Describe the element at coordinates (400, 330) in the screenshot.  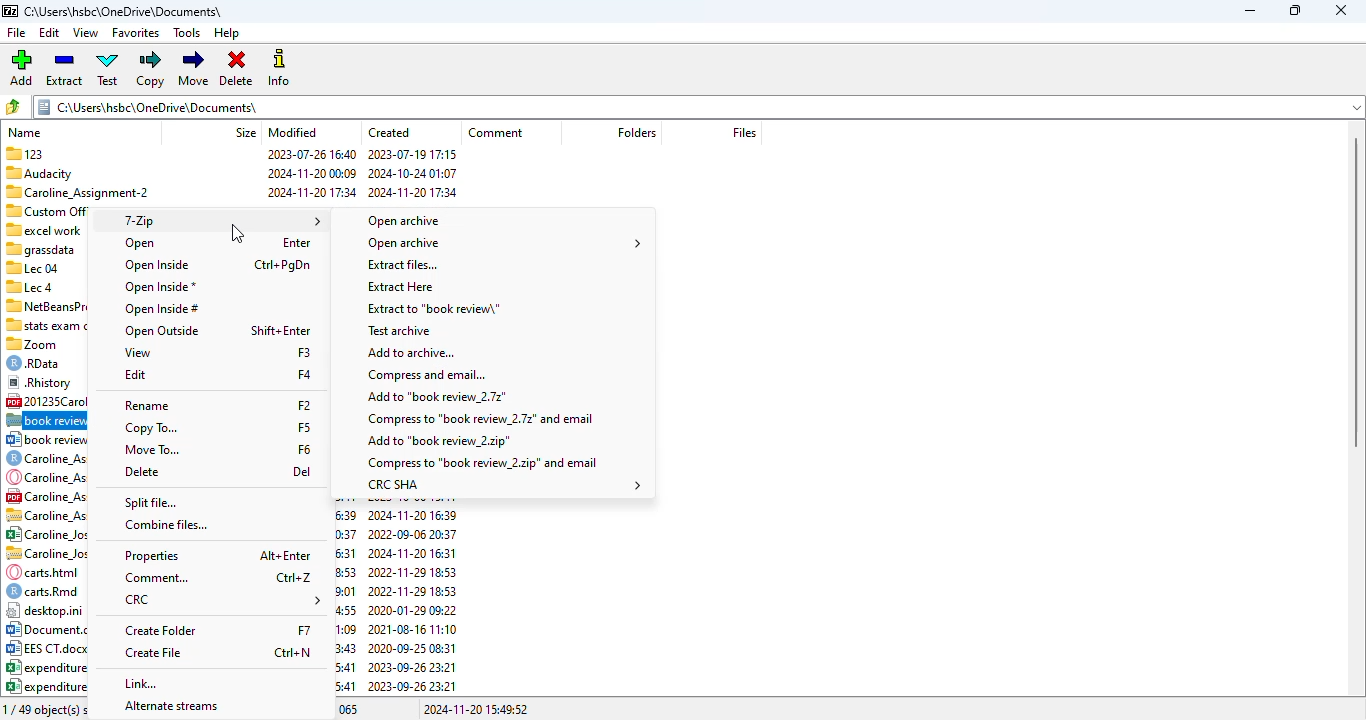
I see `test archive` at that location.